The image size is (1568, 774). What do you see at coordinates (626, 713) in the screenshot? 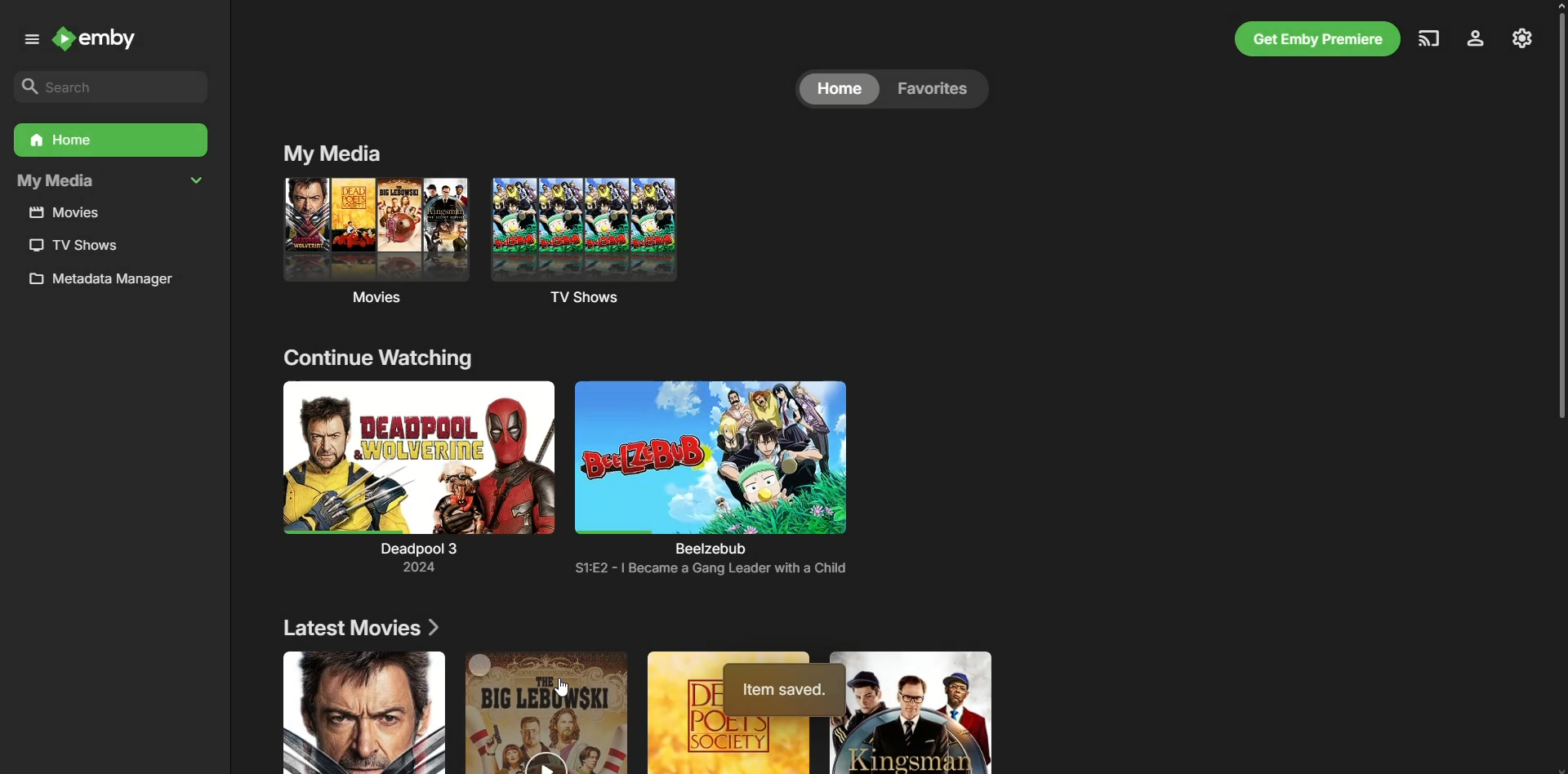
I see `Posters` at bounding box center [626, 713].